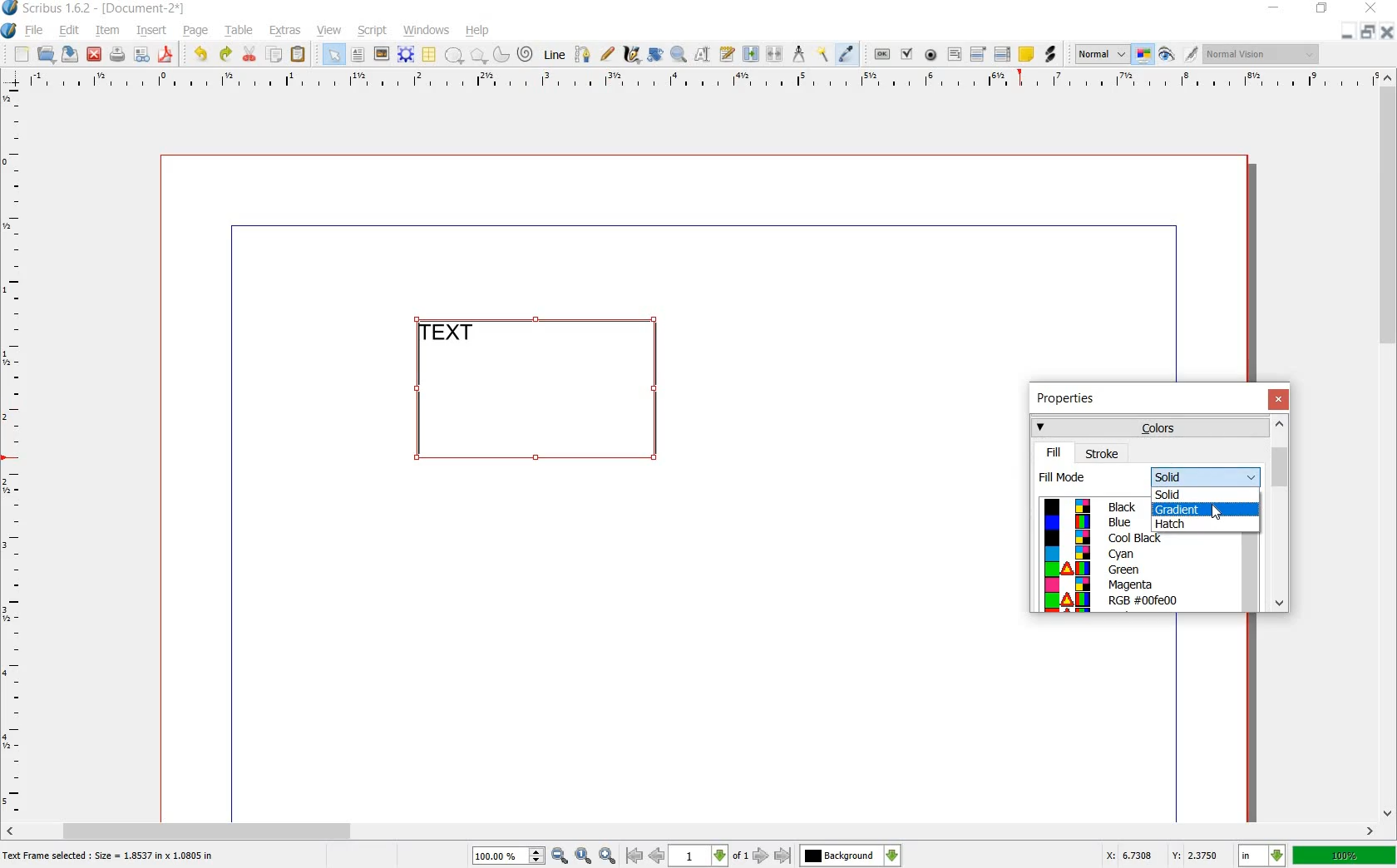 The height and width of the screenshot is (868, 1397). Describe the element at coordinates (750, 55) in the screenshot. I see `link text frame` at that location.